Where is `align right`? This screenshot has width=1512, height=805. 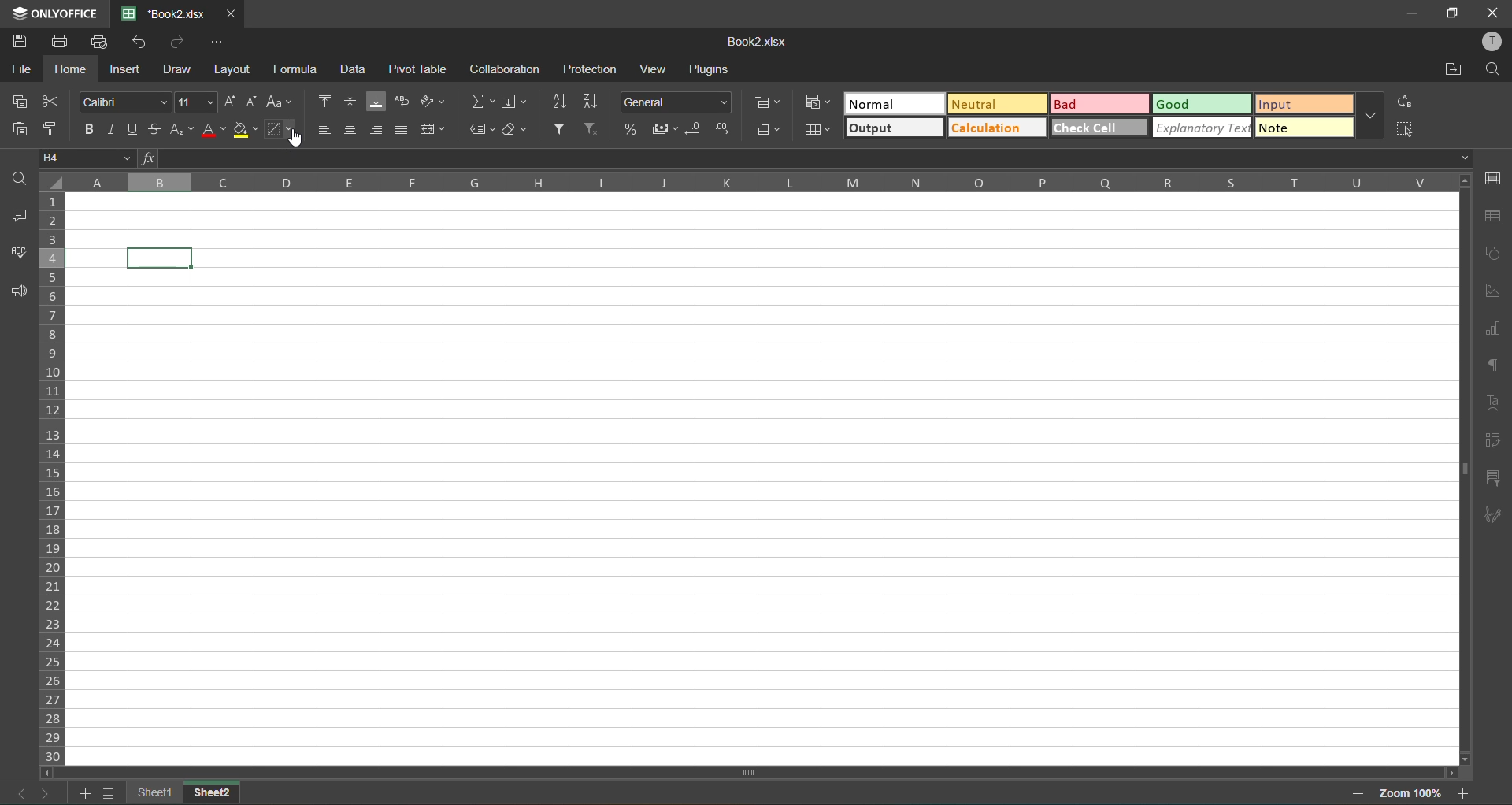
align right is located at coordinates (375, 128).